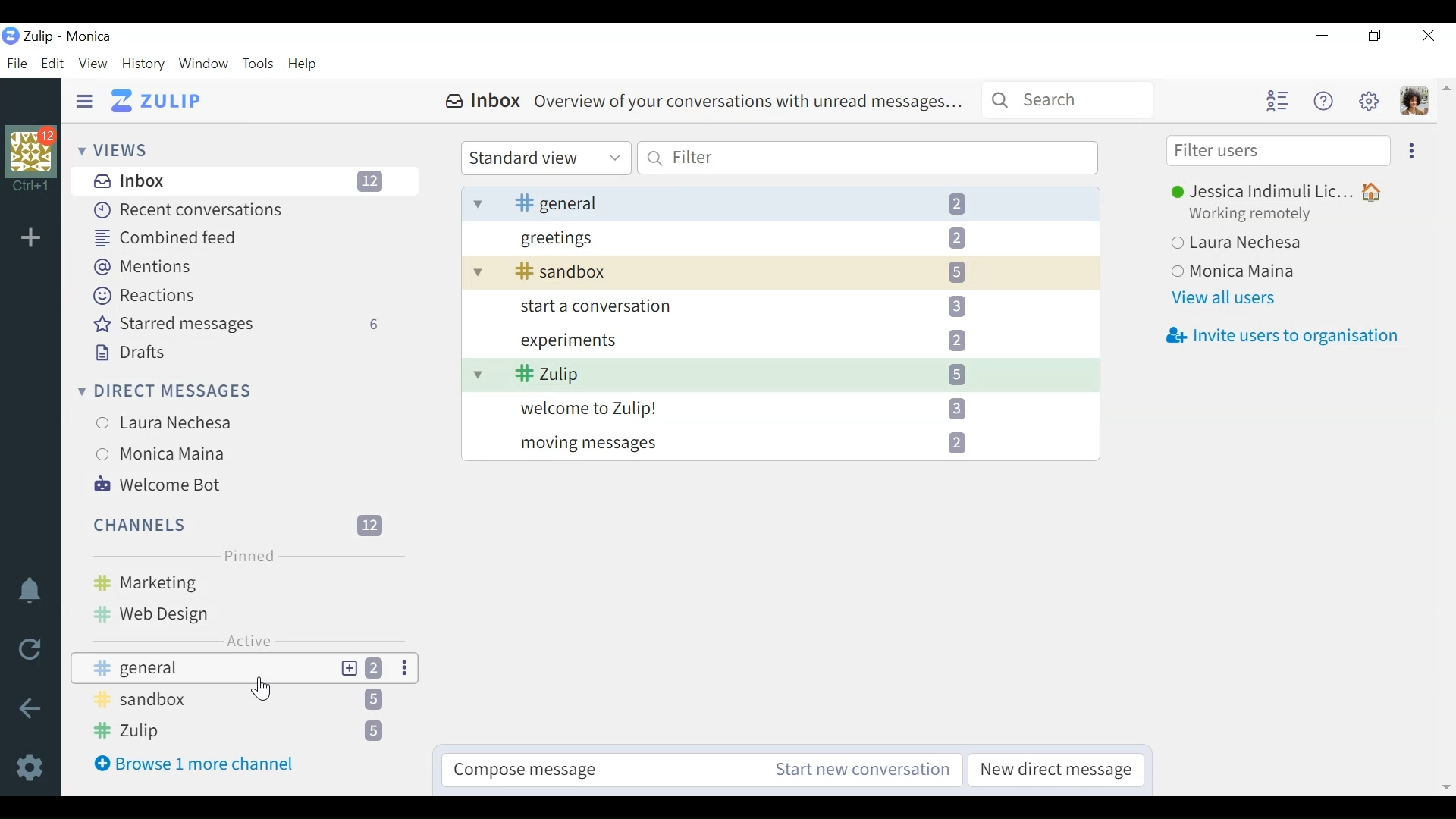 This screenshot has height=819, width=1456. Describe the element at coordinates (1321, 36) in the screenshot. I see `minimize` at that location.